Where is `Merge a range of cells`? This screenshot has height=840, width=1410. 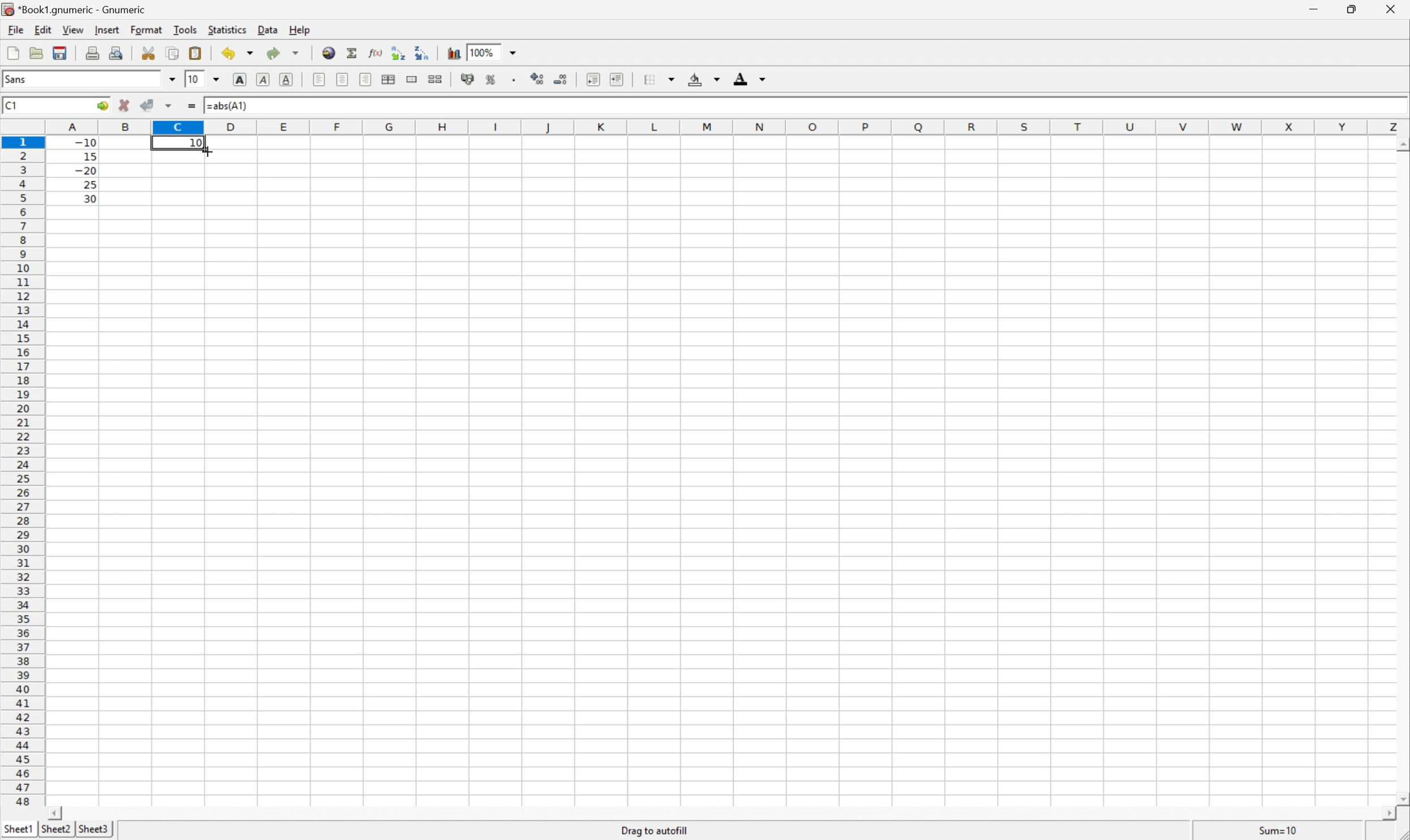
Merge a range of cells is located at coordinates (413, 79).